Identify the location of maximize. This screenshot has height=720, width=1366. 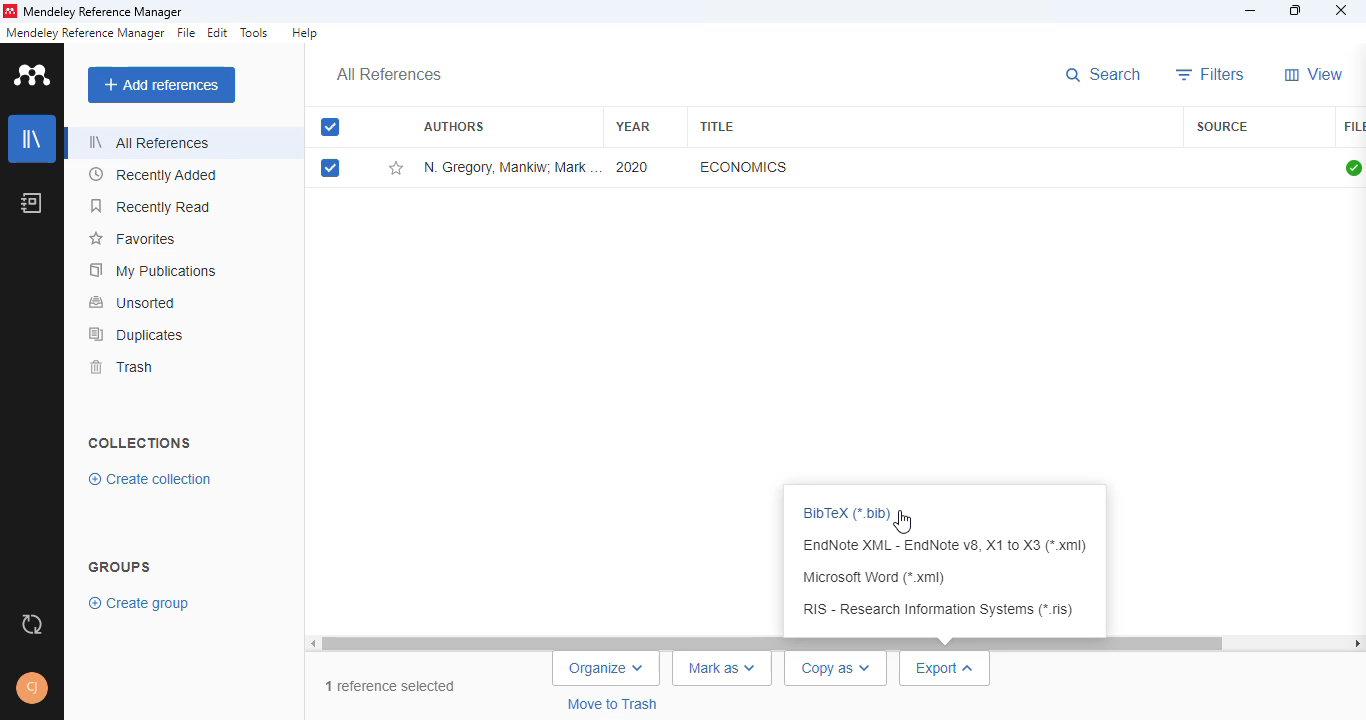
(1296, 10).